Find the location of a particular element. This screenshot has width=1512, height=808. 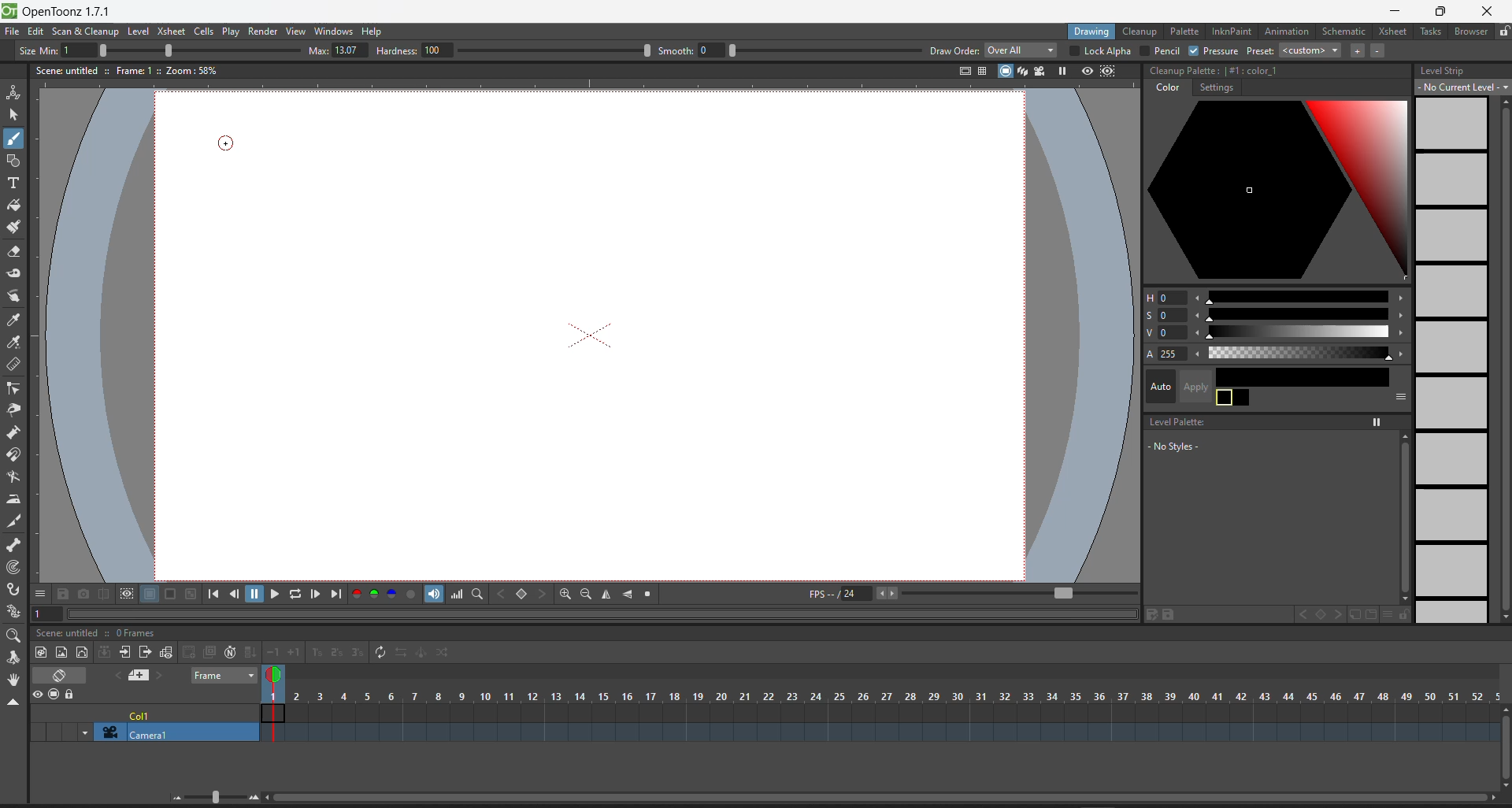

flip horizontally is located at coordinates (608, 595).